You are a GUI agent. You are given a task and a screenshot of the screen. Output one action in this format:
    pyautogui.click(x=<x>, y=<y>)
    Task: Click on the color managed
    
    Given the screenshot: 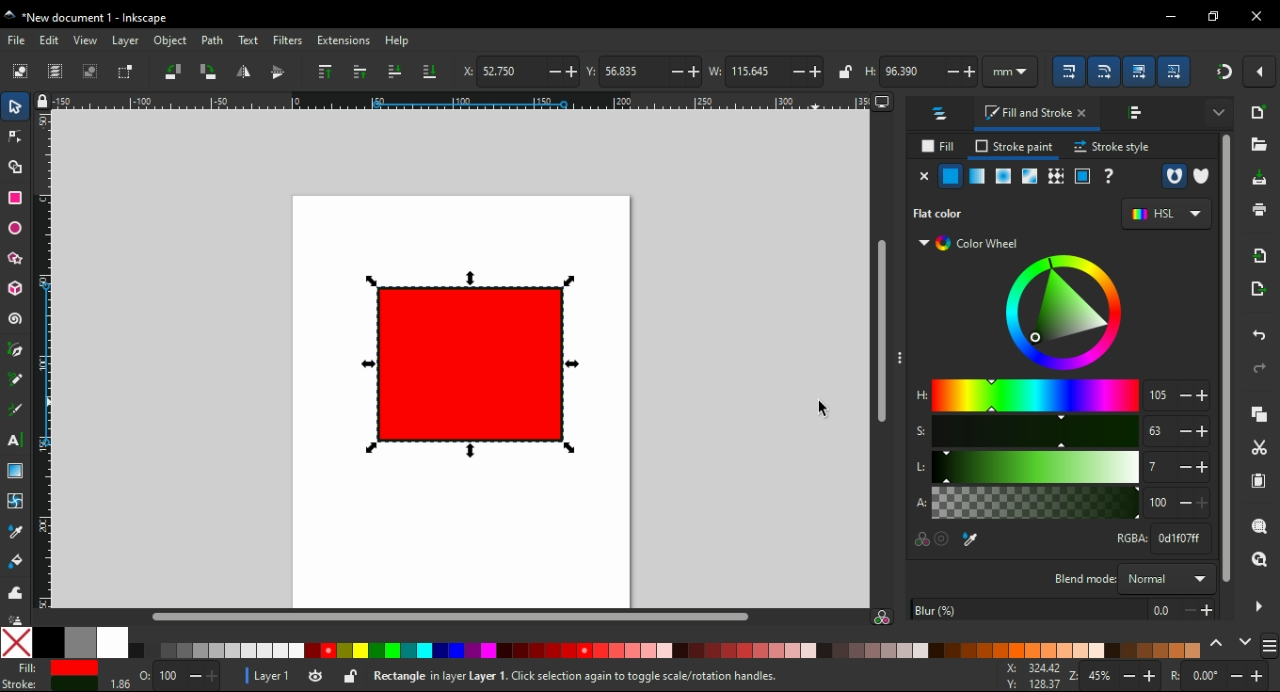 What is the action you would take?
    pyautogui.click(x=920, y=541)
    